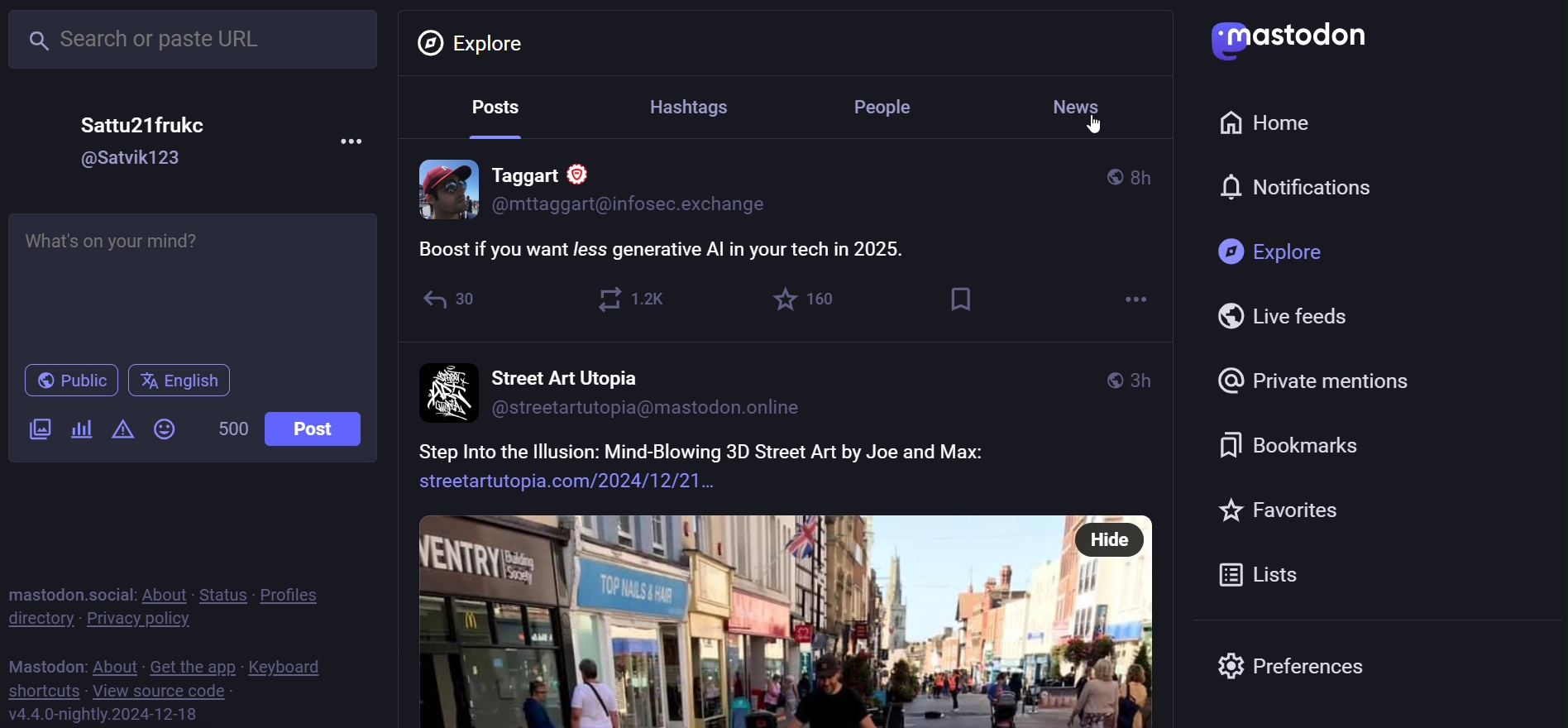 This screenshot has width=1568, height=728. I want to click on mastodon, so click(1293, 39).